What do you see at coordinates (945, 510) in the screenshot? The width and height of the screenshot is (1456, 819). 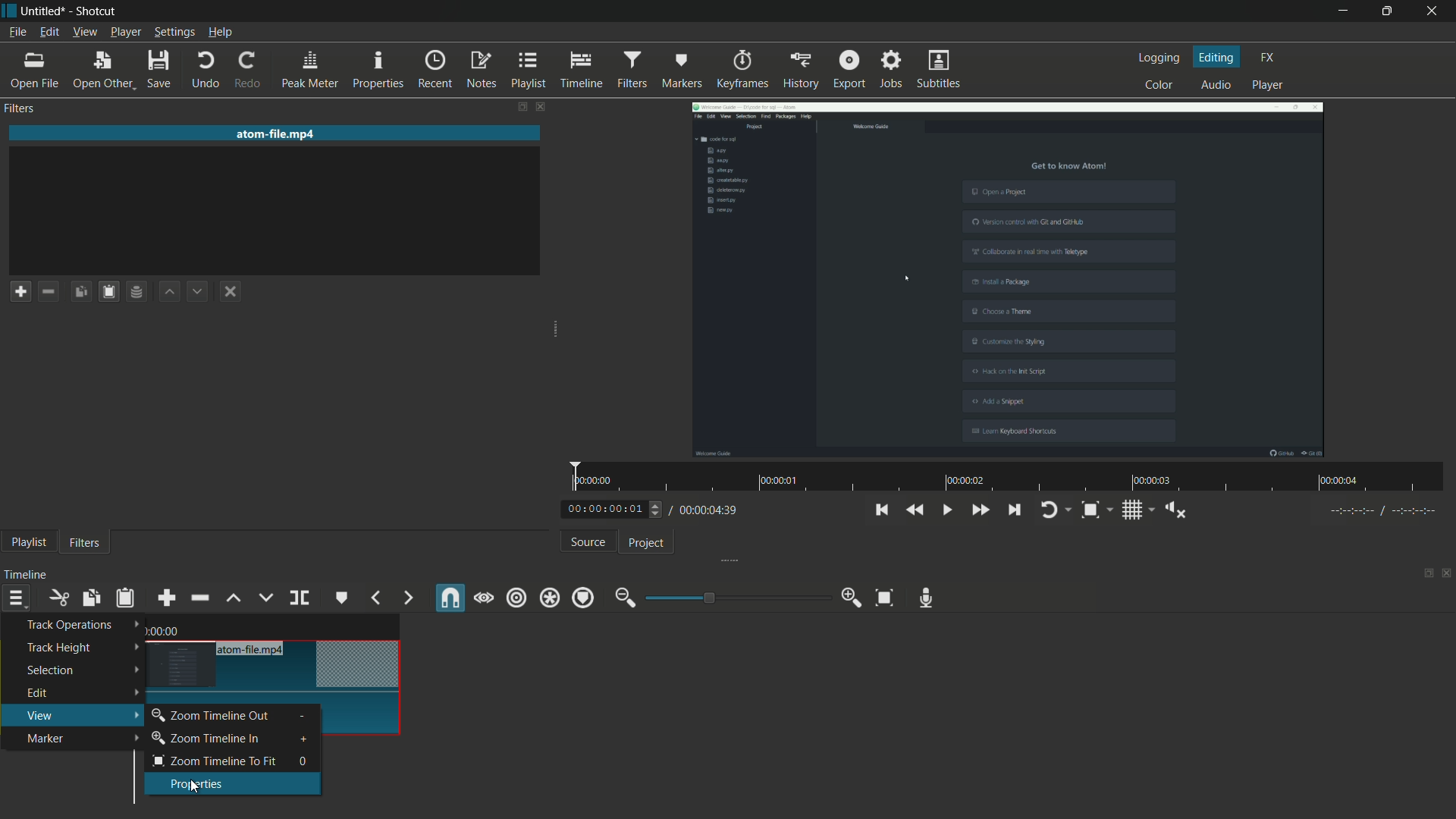 I see `toggle play or pause` at bounding box center [945, 510].